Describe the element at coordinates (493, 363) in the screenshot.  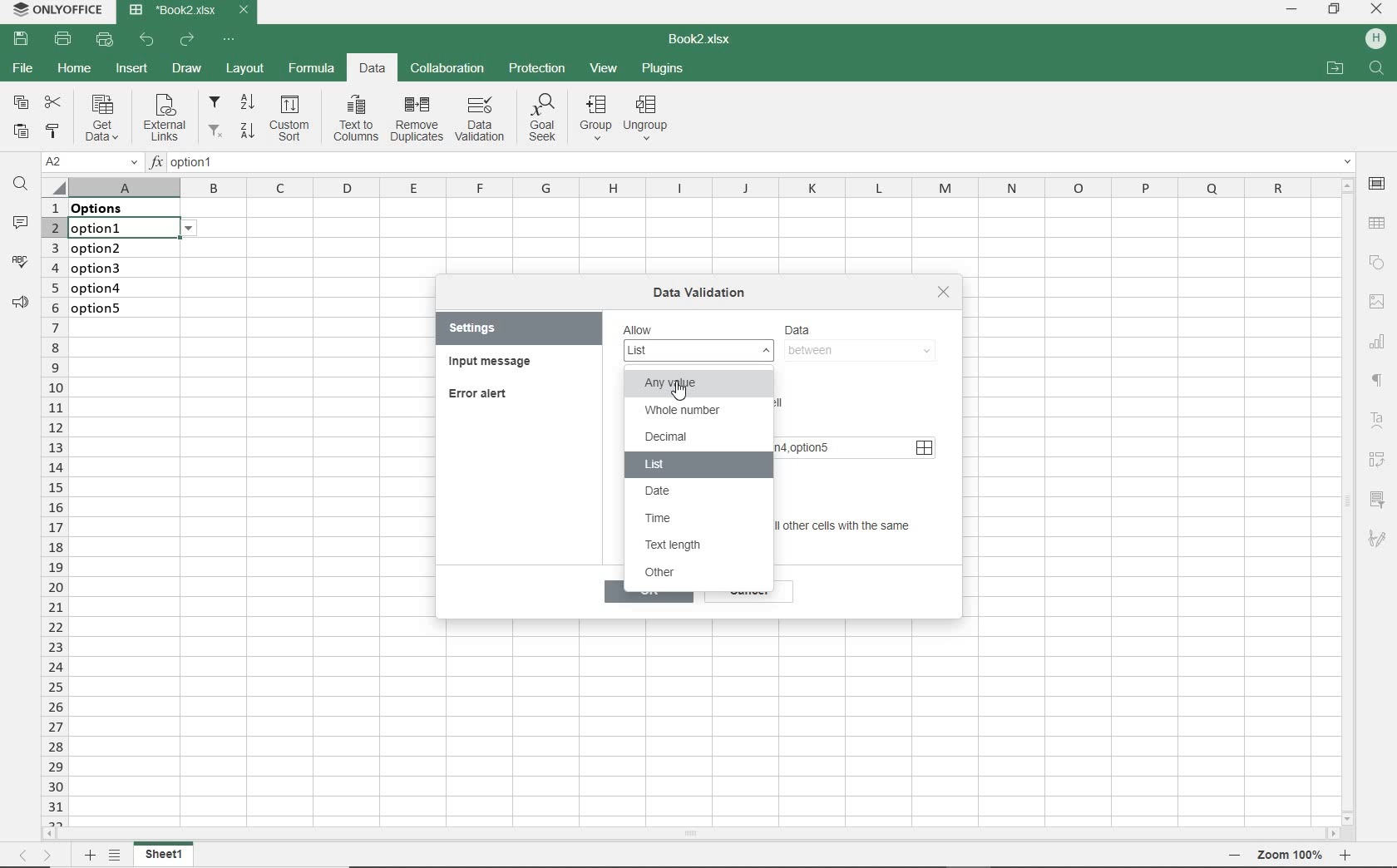
I see `INPUT MESSAGE` at that location.